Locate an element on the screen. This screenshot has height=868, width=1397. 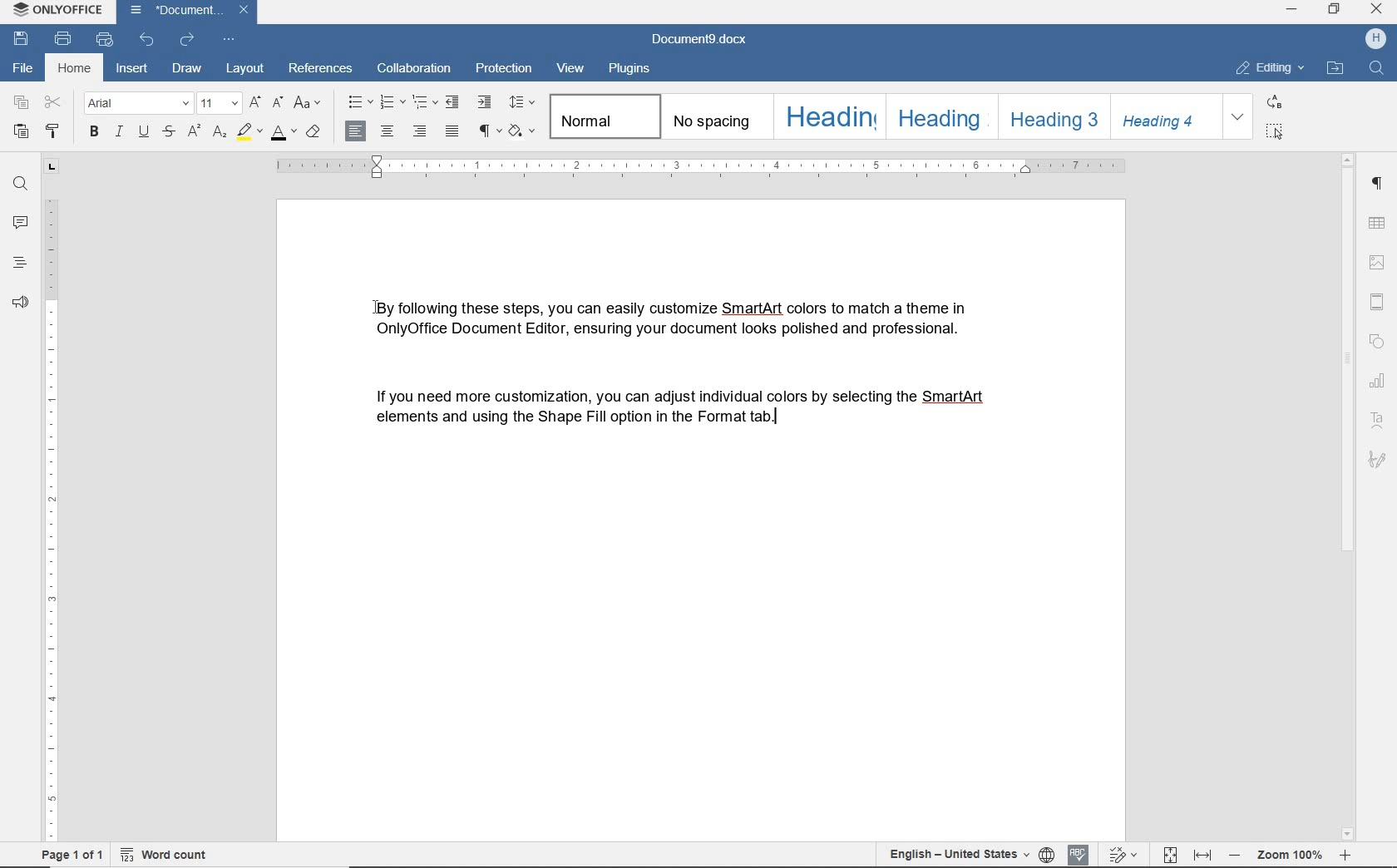
multilevel list is located at coordinates (422, 105).